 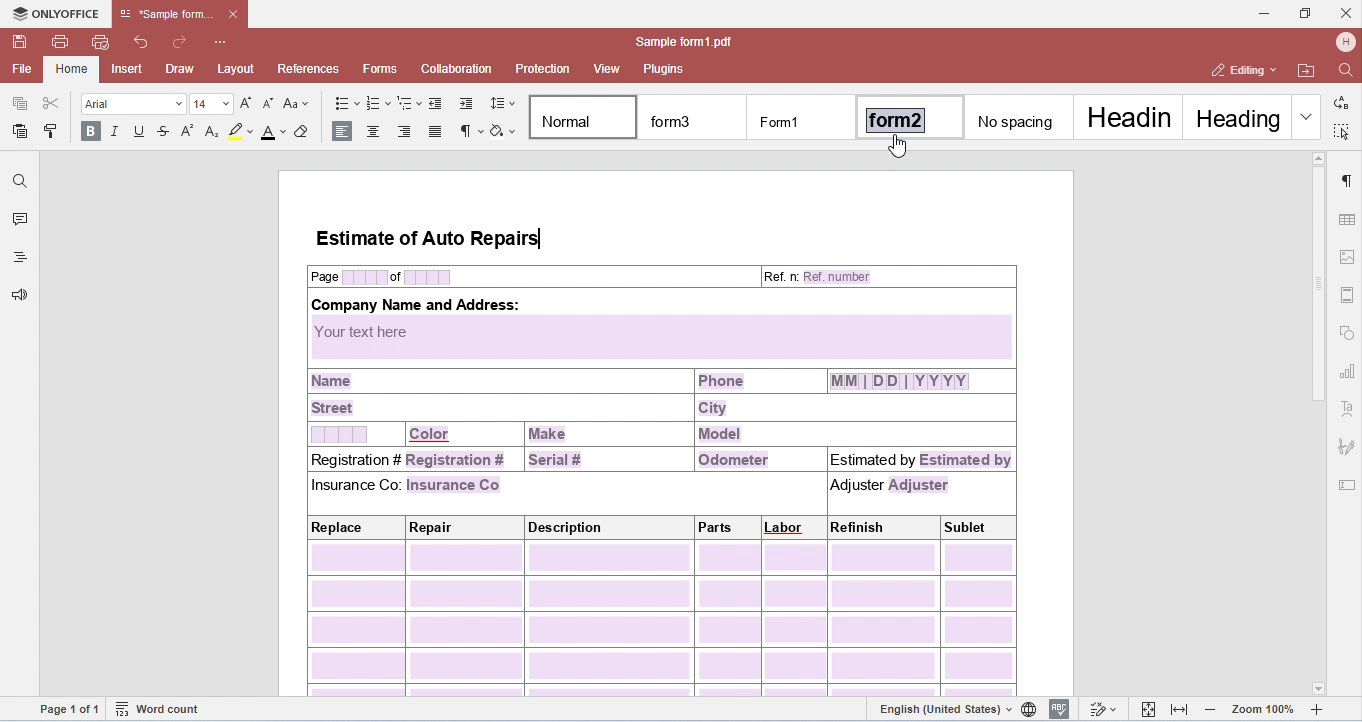 What do you see at coordinates (1347, 180) in the screenshot?
I see `paragraph settings` at bounding box center [1347, 180].